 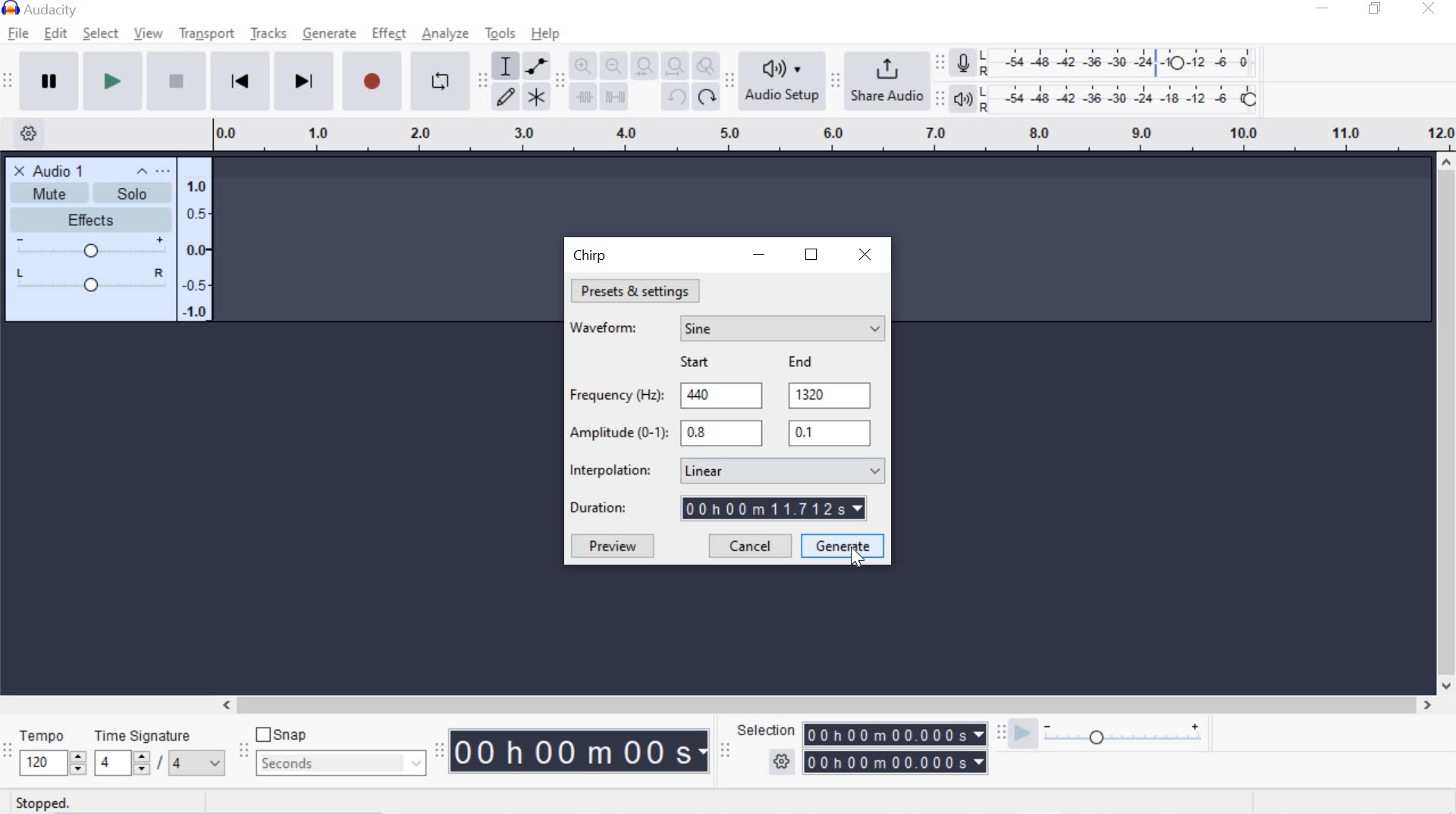 I want to click on time selection, so click(x=725, y=753).